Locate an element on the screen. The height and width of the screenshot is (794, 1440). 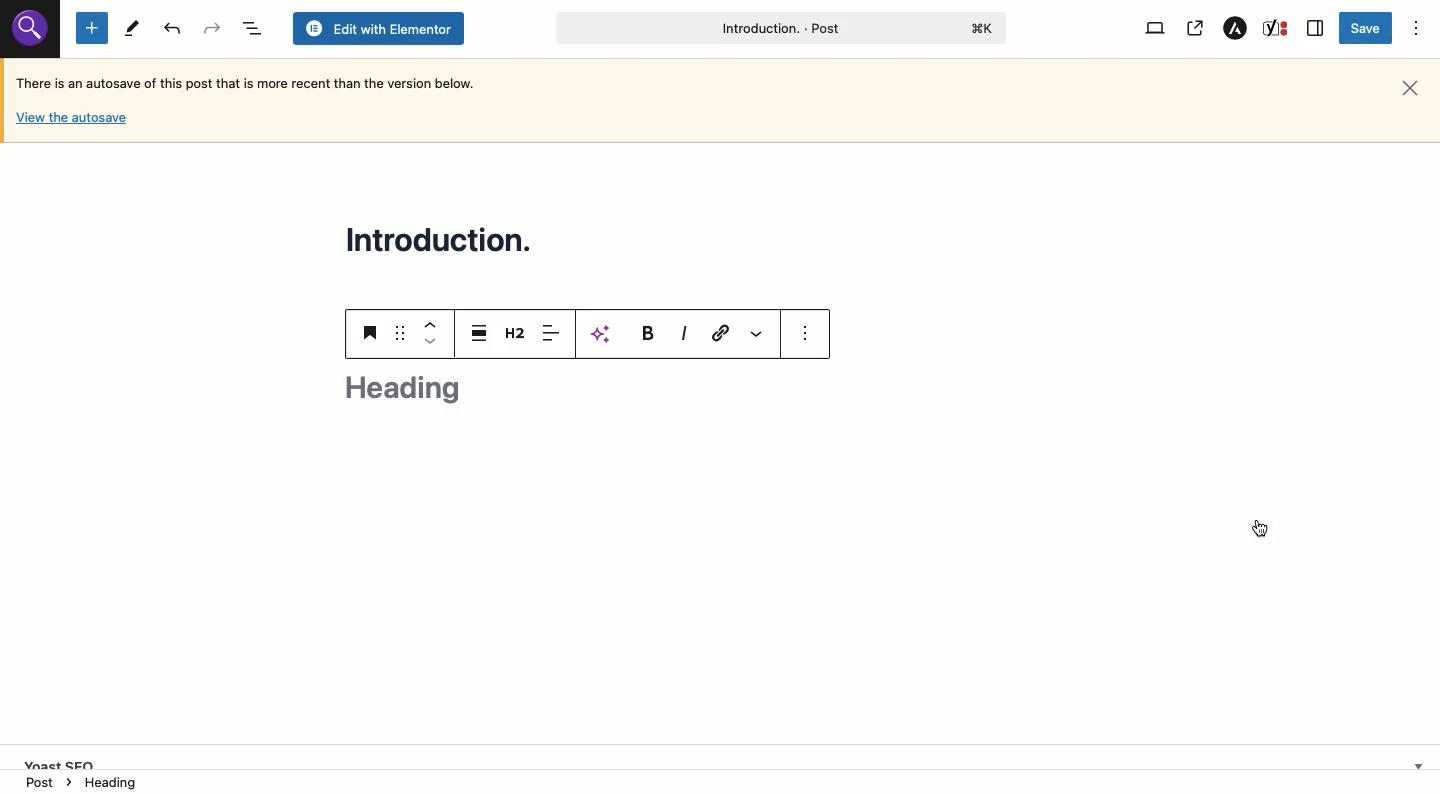
Autosave text is located at coordinates (252, 82).